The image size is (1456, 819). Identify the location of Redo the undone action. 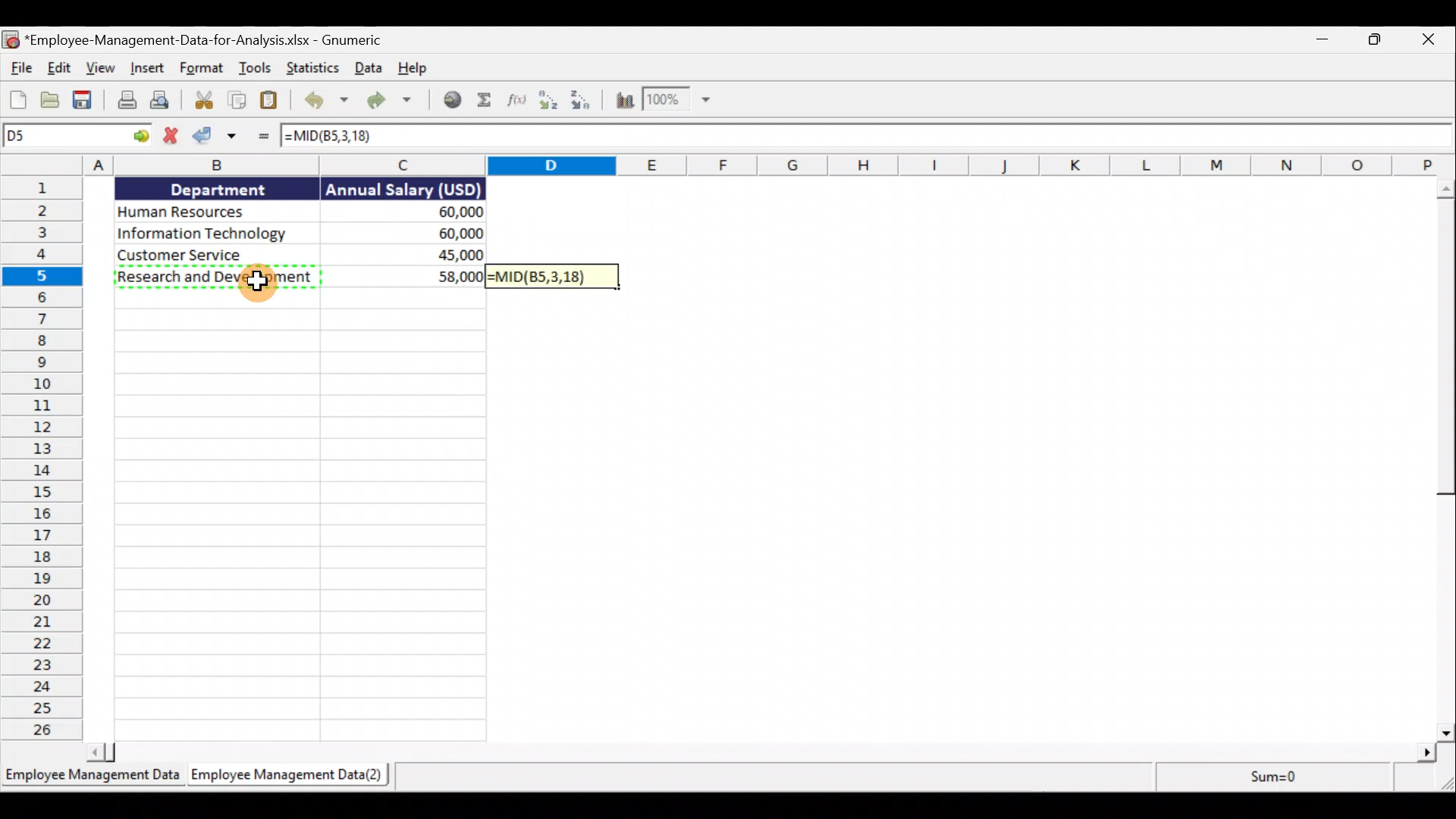
(392, 100).